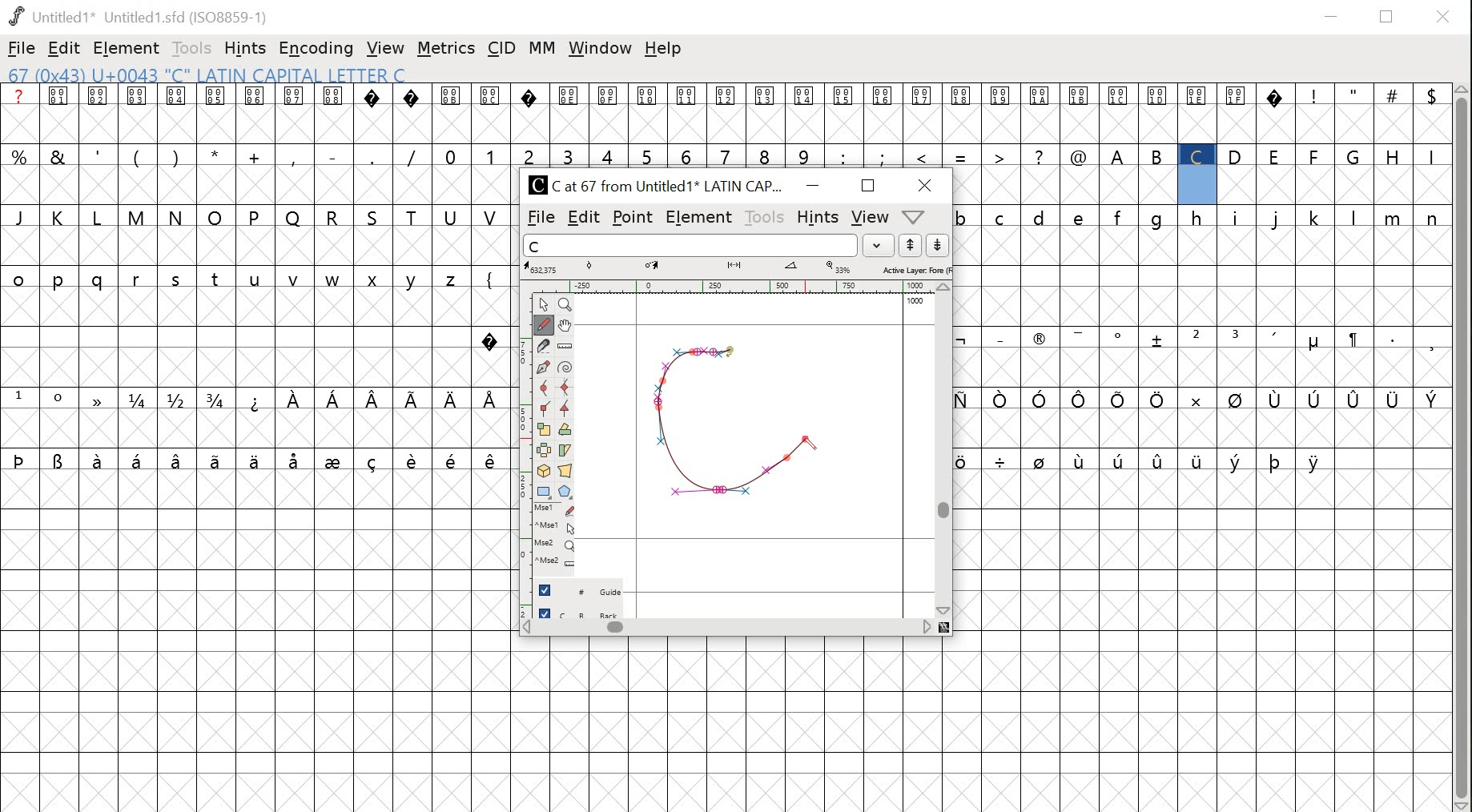 This screenshot has width=1472, height=812. Describe the element at coordinates (664, 50) in the screenshot. I see `help` at that location.